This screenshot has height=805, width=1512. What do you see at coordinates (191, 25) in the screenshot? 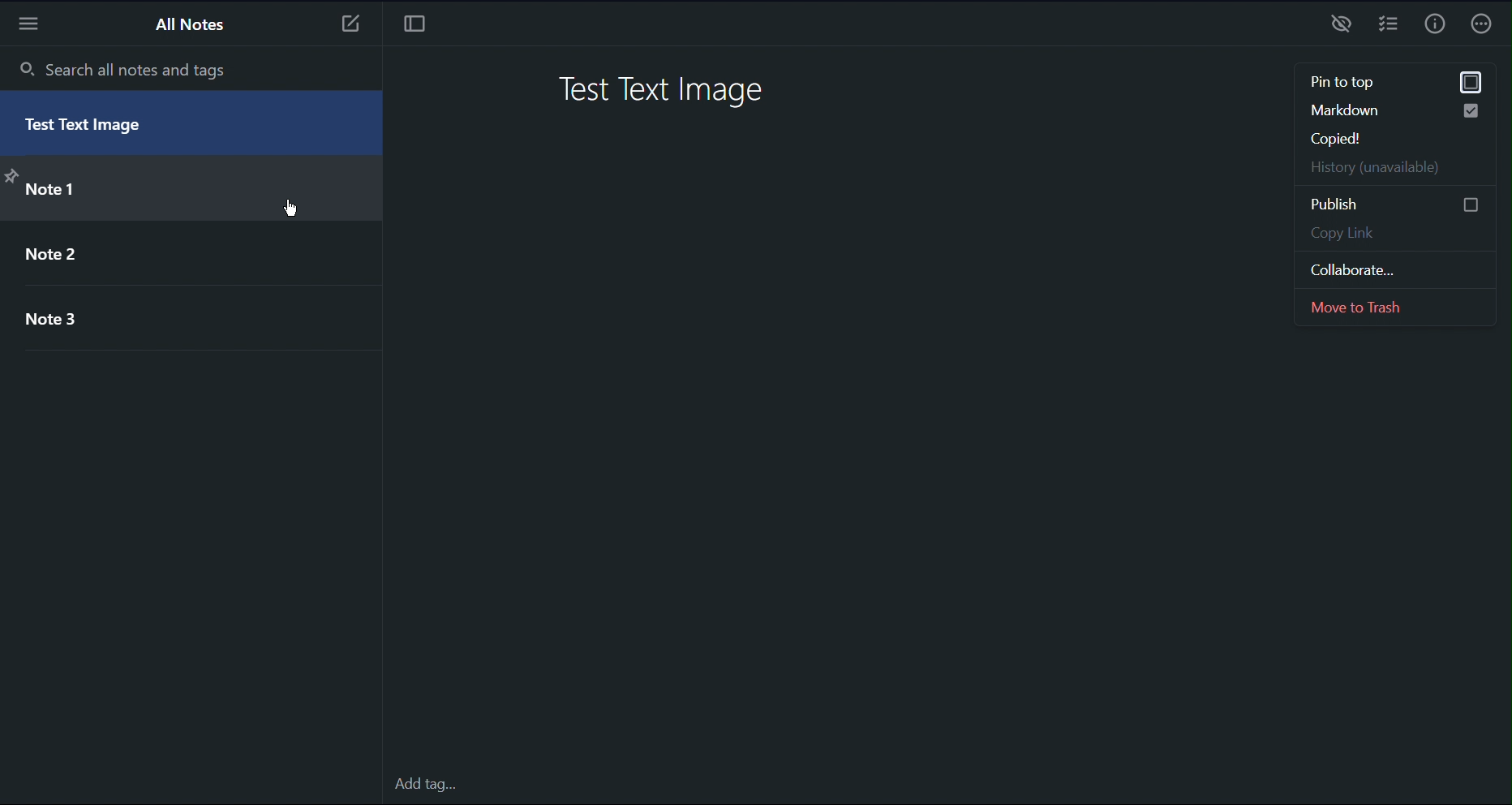
I see `All Notes` at bounding box center [191, 25].